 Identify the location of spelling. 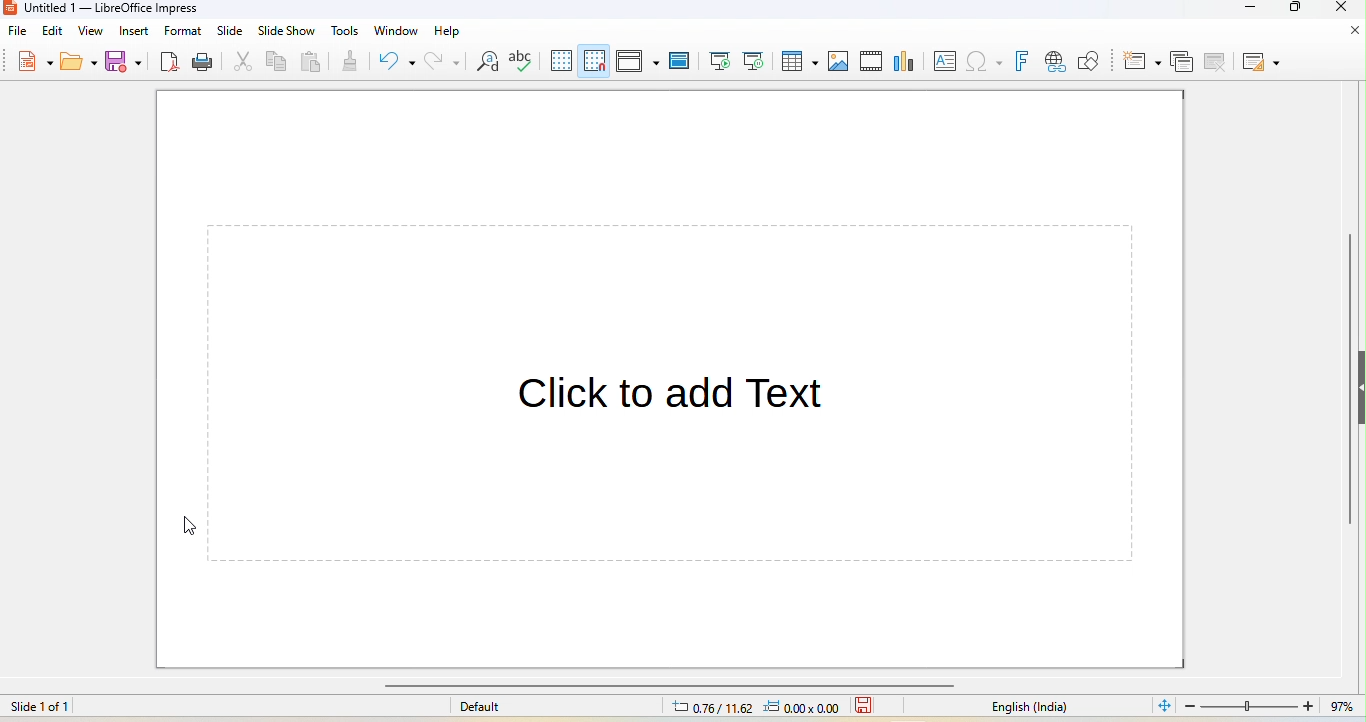
(522, 60).